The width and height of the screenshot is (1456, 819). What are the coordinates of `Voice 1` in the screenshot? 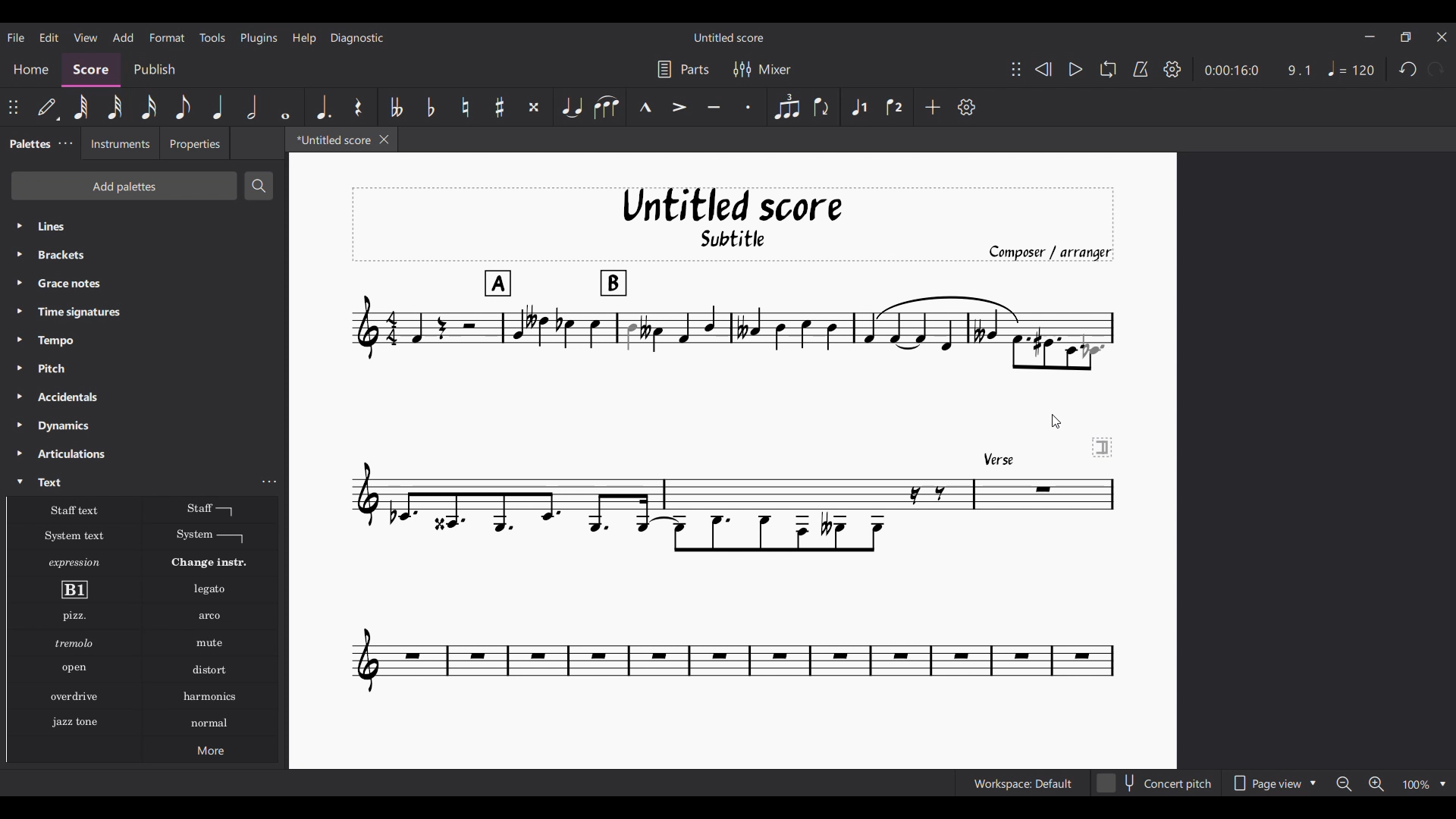 It's located at (860, 107).